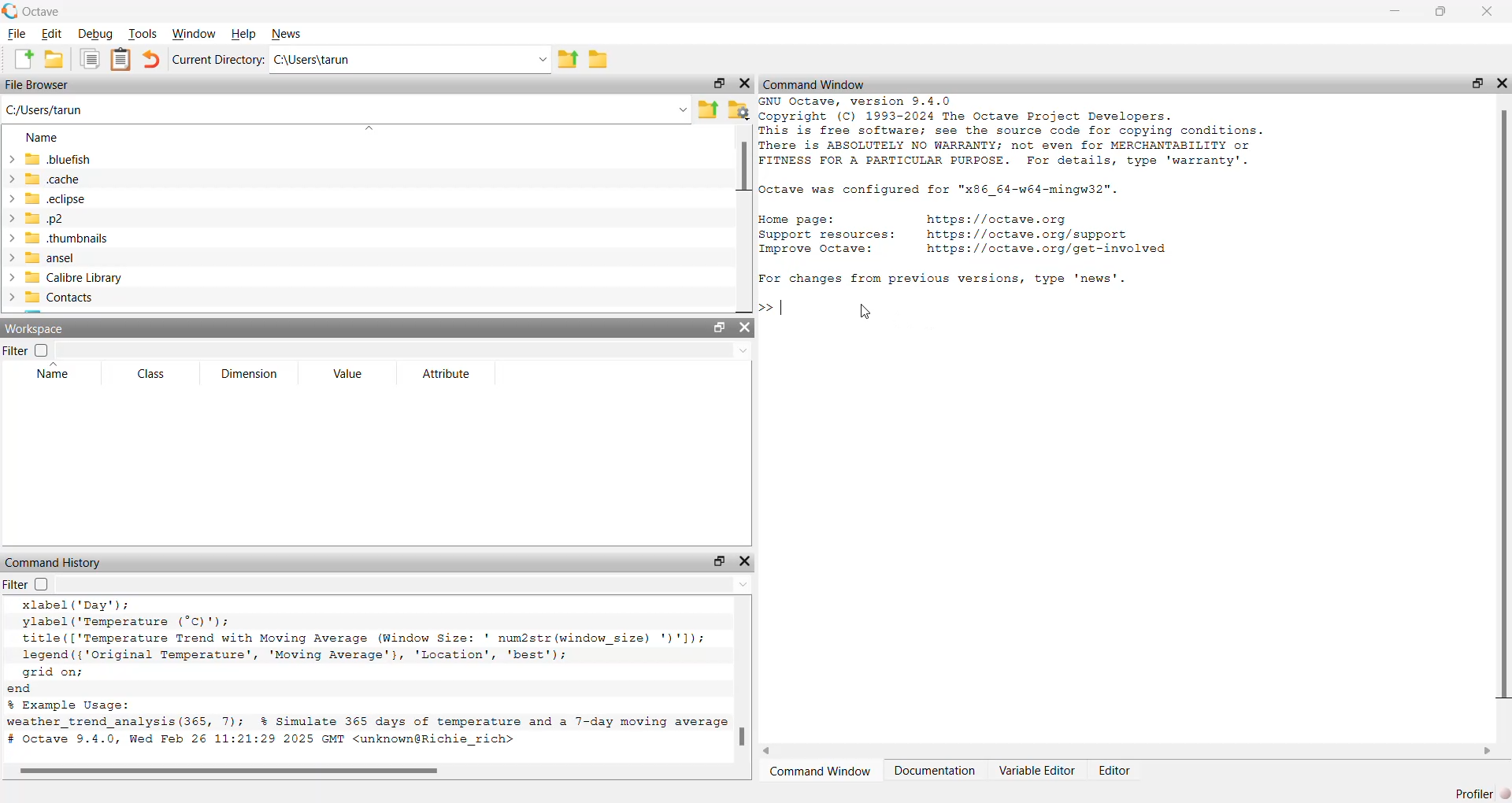 This screenshot has height=803, width=1512. I want to click on Filter, so click(28, 585).